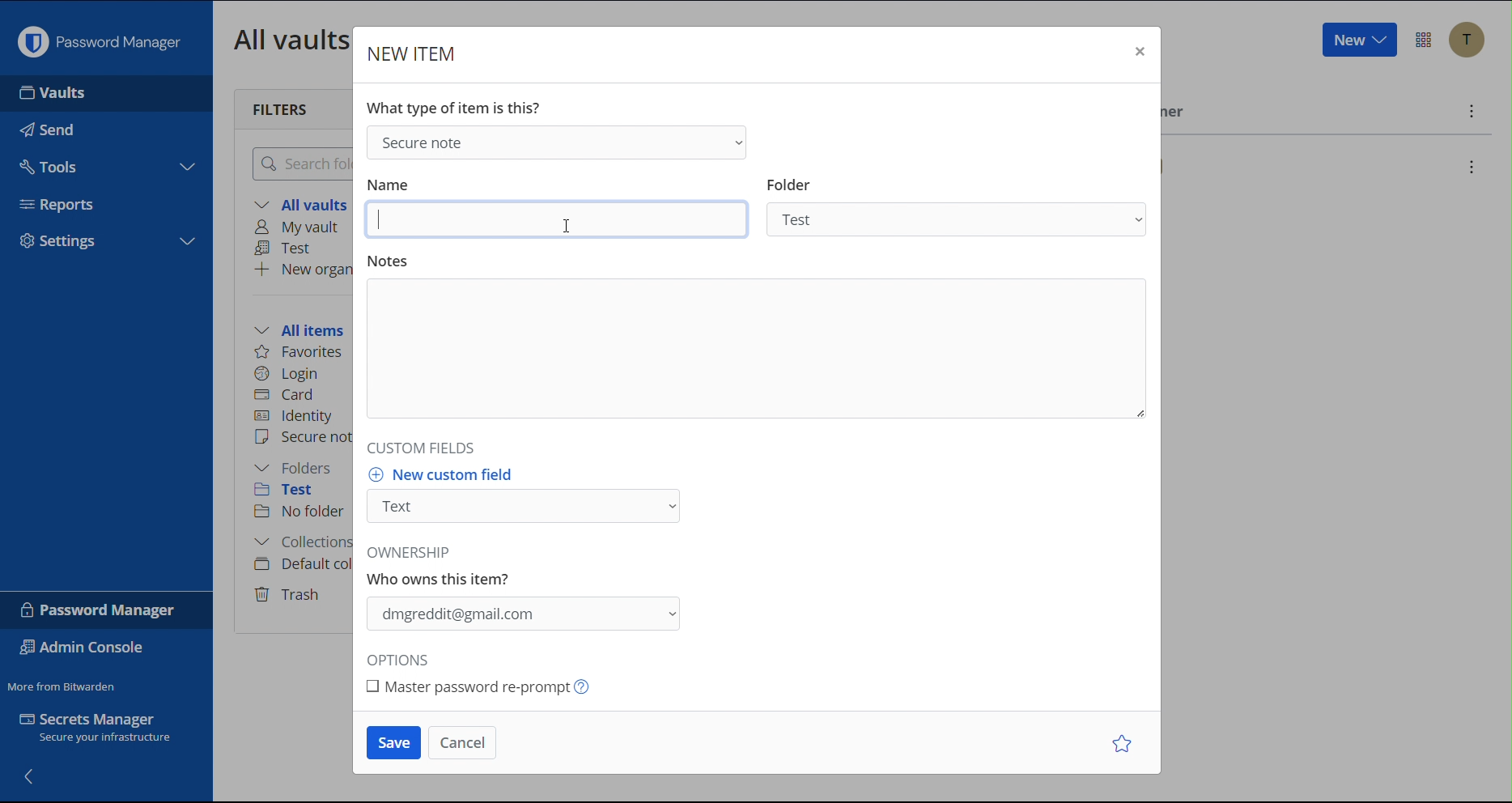  Describe the element at coordinates (287, 372) in the screenshot. I see `Login` at that location.